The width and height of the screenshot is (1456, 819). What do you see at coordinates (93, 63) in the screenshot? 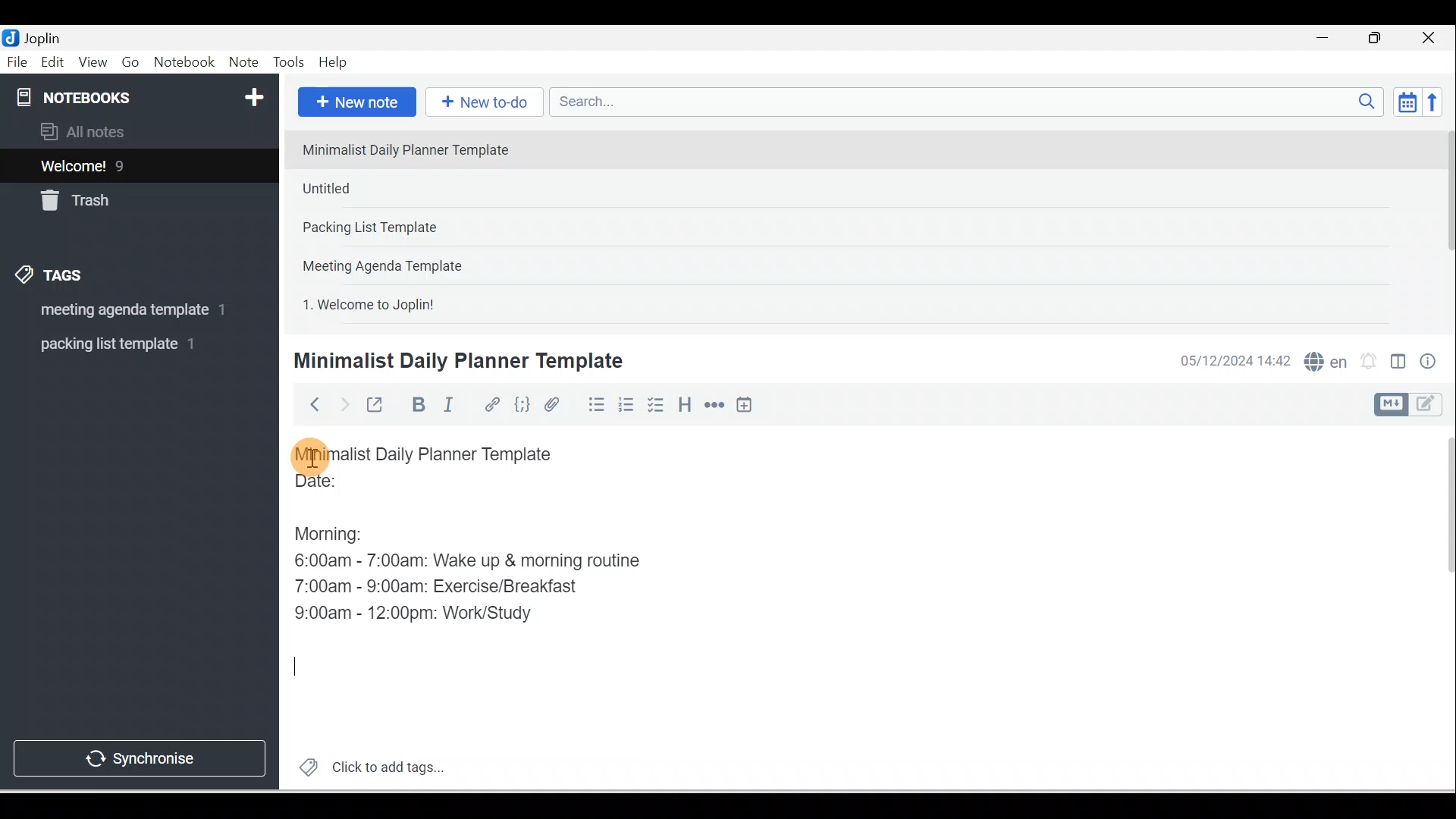
I see `View` at bounding box center [93, 63].